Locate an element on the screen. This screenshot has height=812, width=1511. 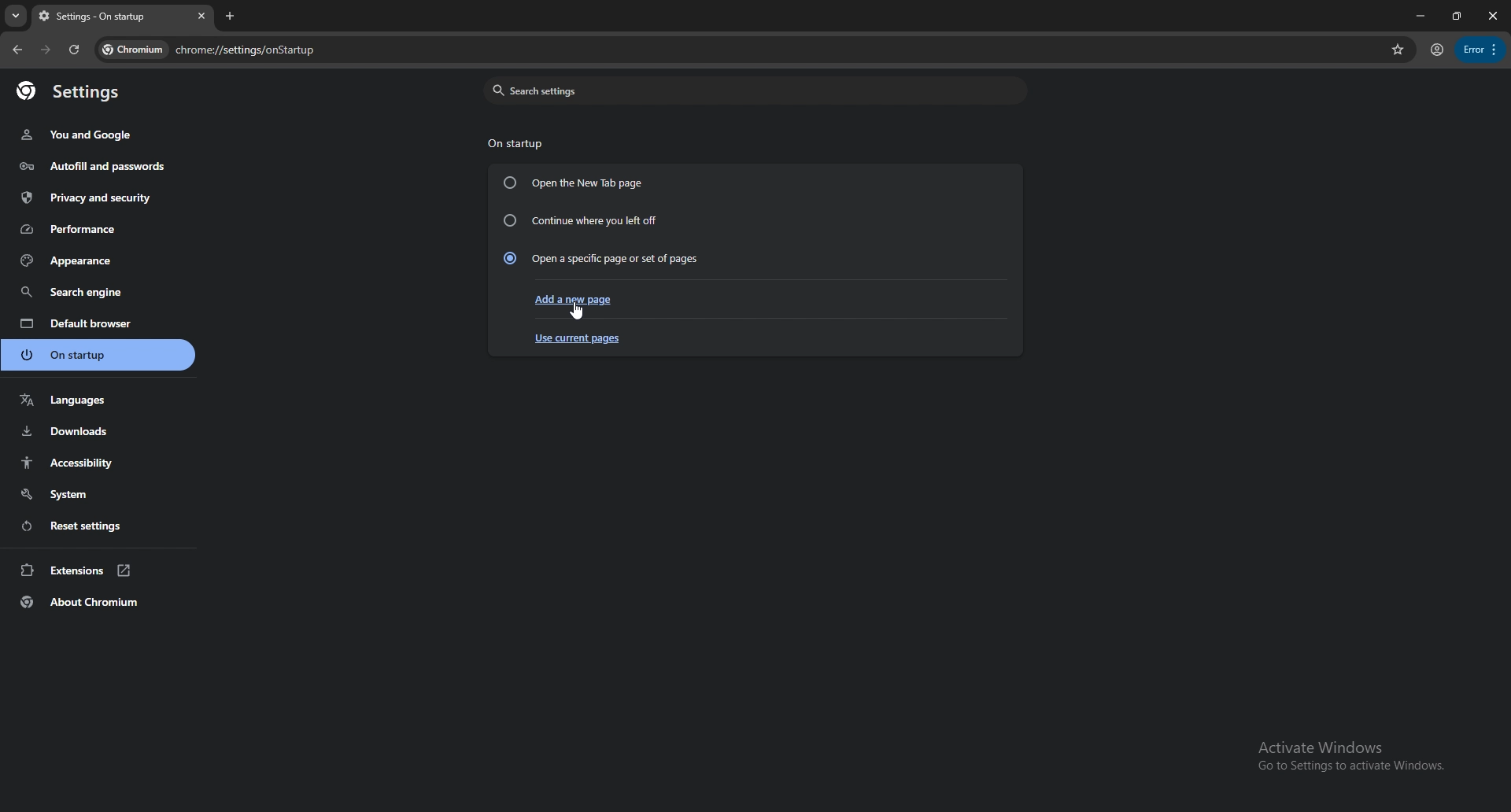
minimize is located at coordinates (1417, 16).